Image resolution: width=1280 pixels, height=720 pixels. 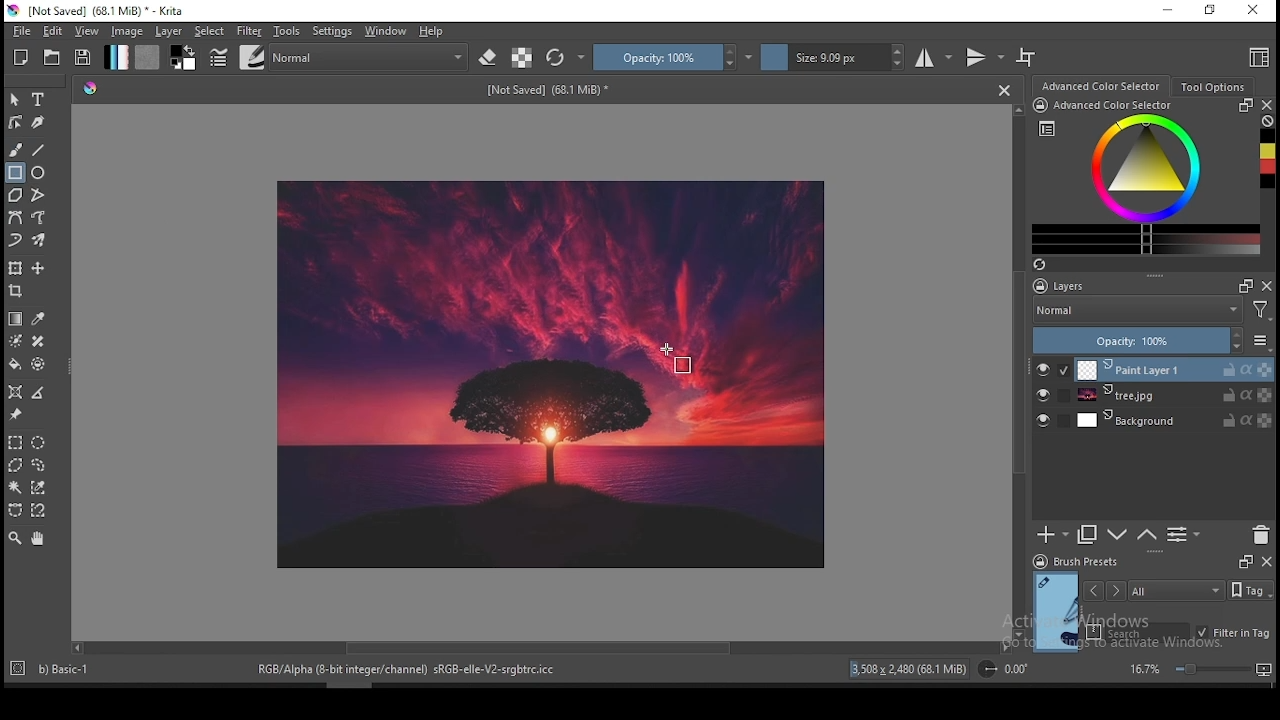 I want to click on view, so click(x=89, y=32).